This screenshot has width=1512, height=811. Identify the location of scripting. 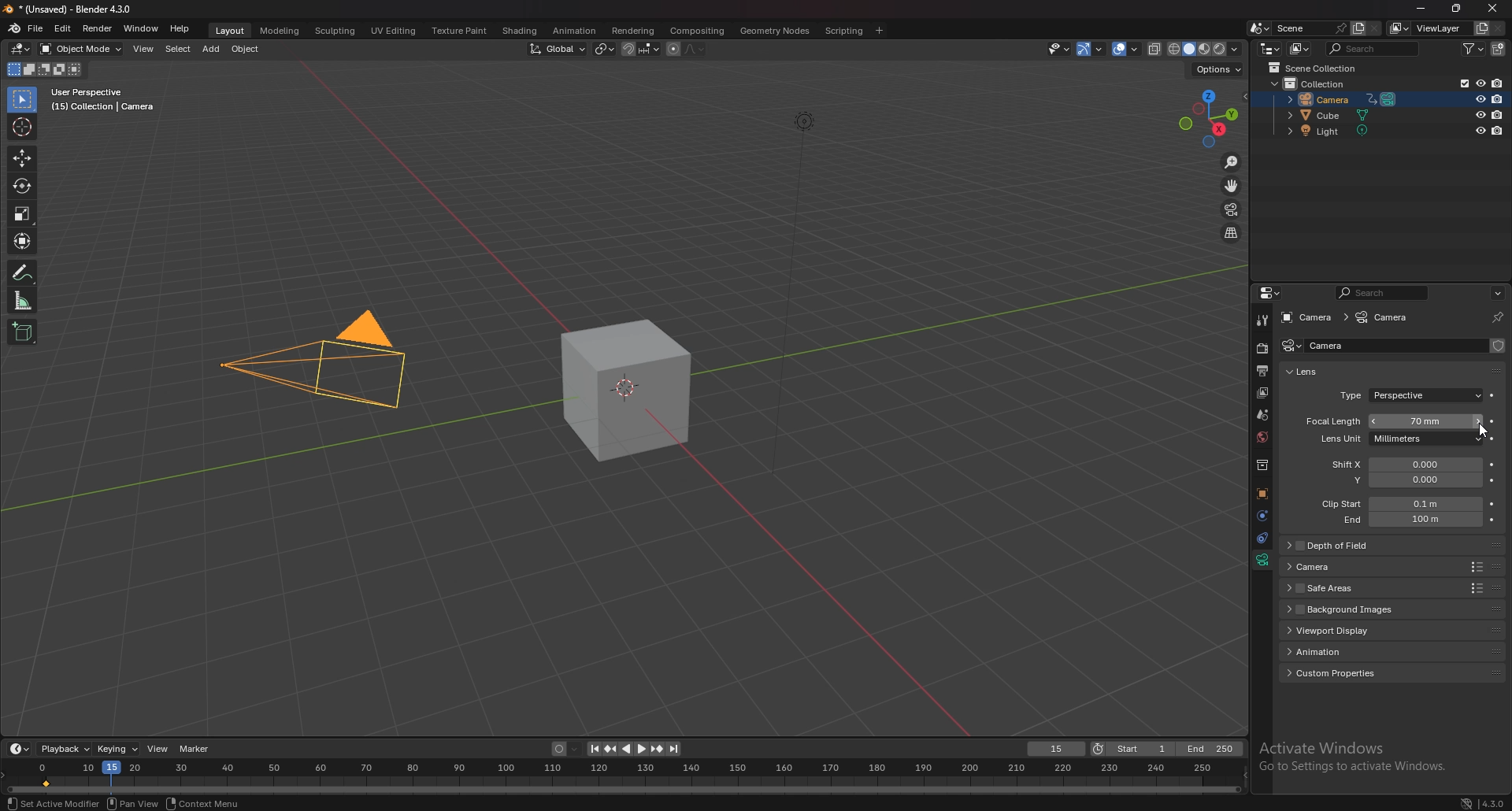
(843, 31).